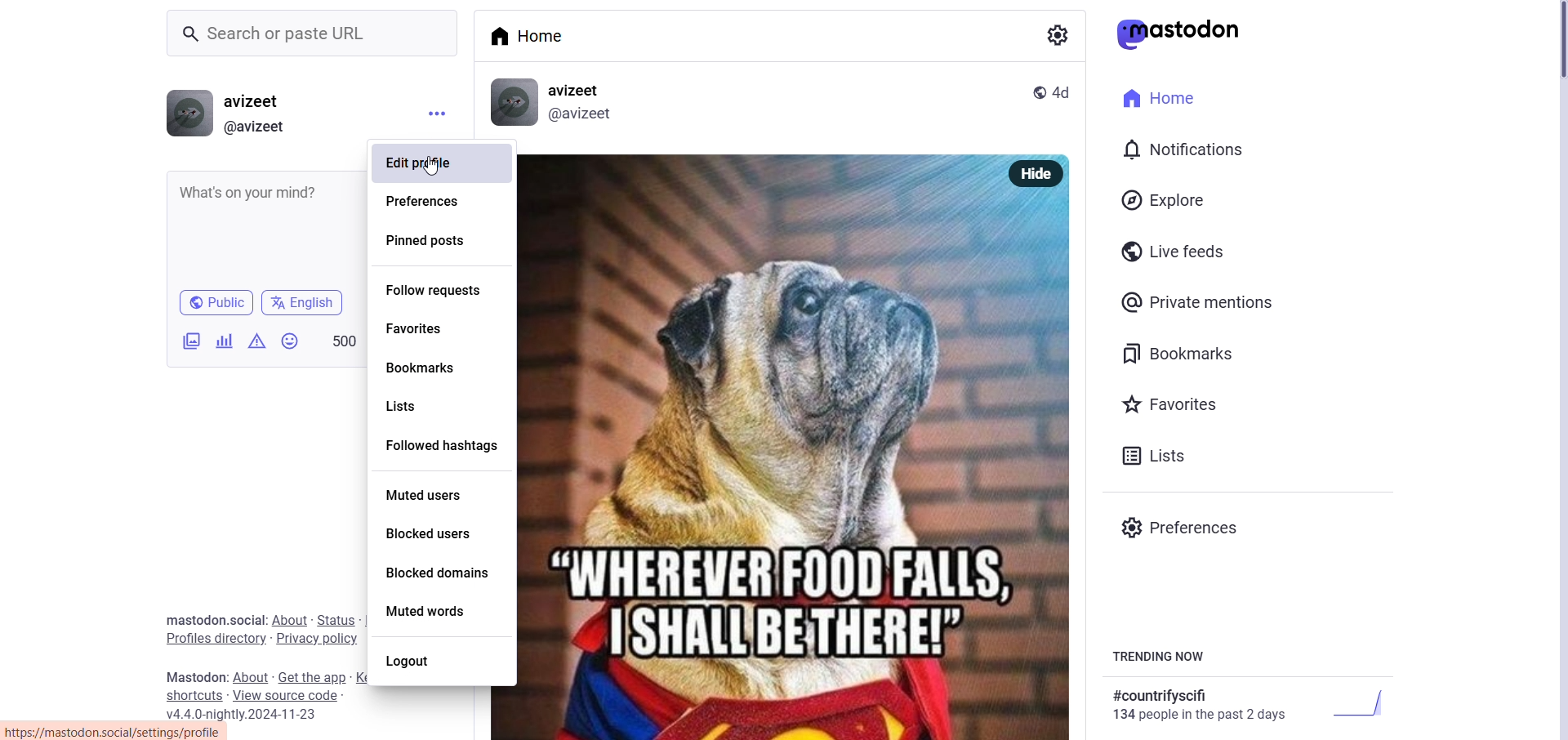  What do you see at coordinates (246, 619) in the screenshot?
I see `social` at bounding box center [246, 619].